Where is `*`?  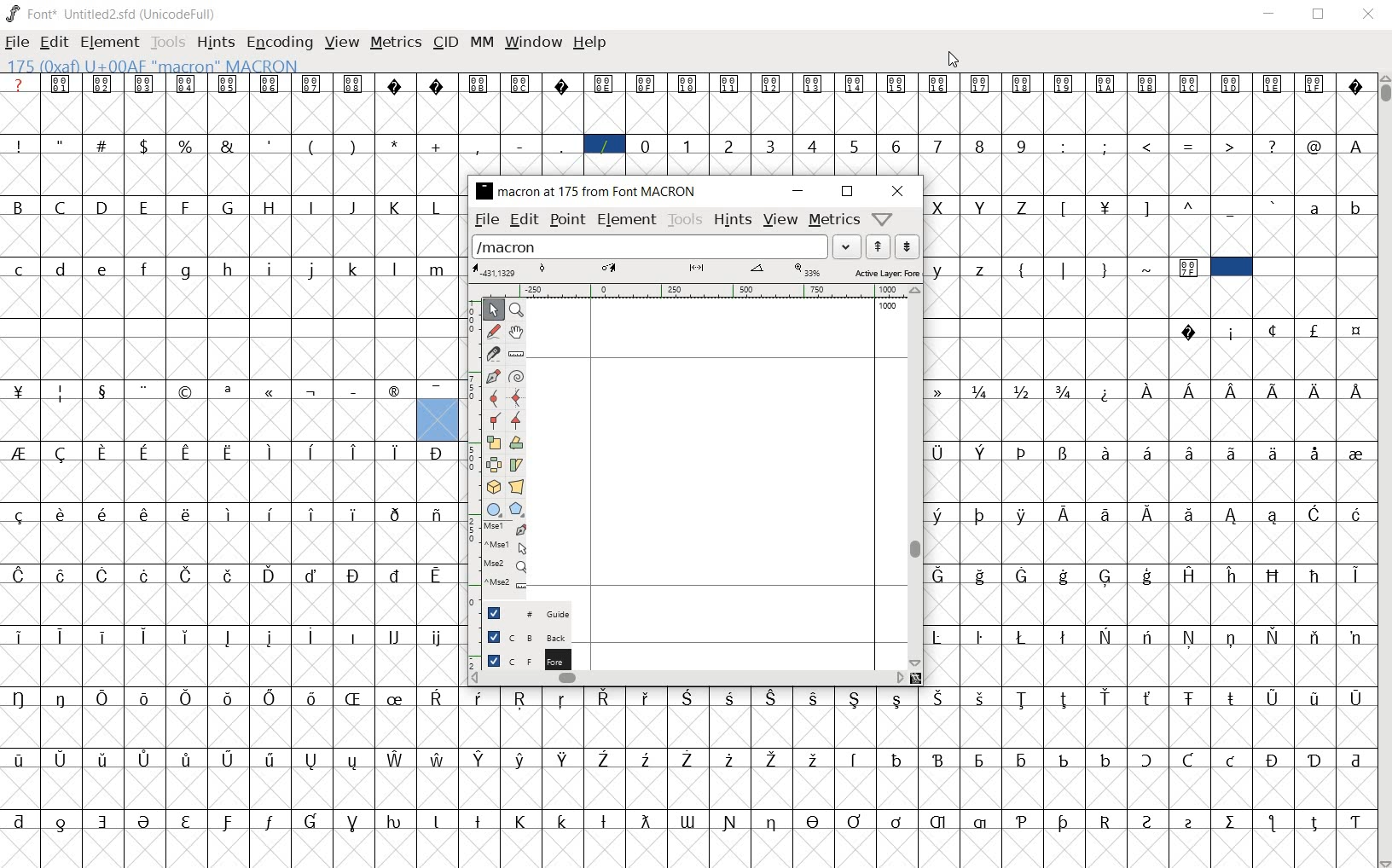 * is located at coordinates (396, 144).